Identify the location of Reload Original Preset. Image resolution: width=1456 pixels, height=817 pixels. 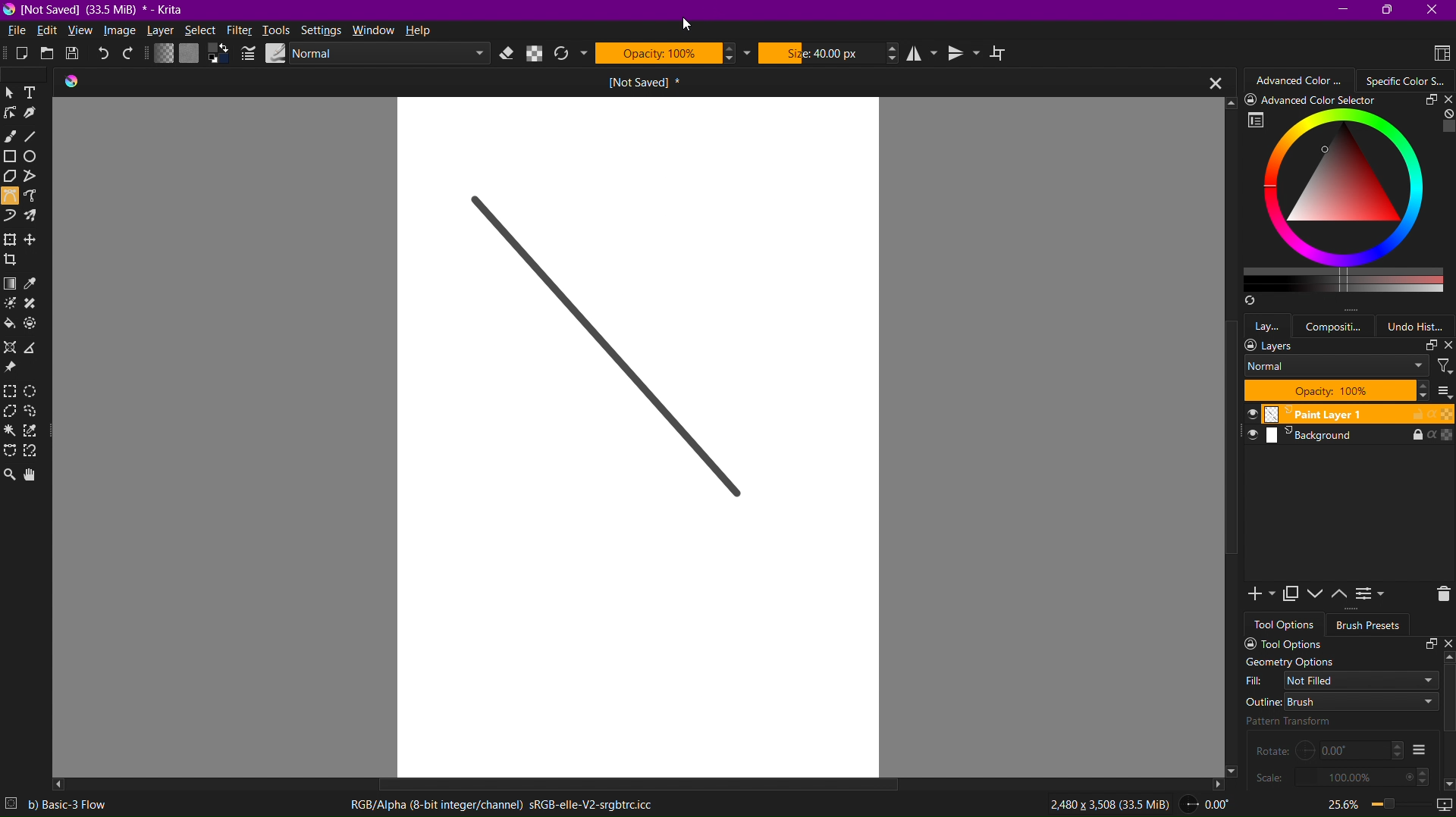
(569, 55).